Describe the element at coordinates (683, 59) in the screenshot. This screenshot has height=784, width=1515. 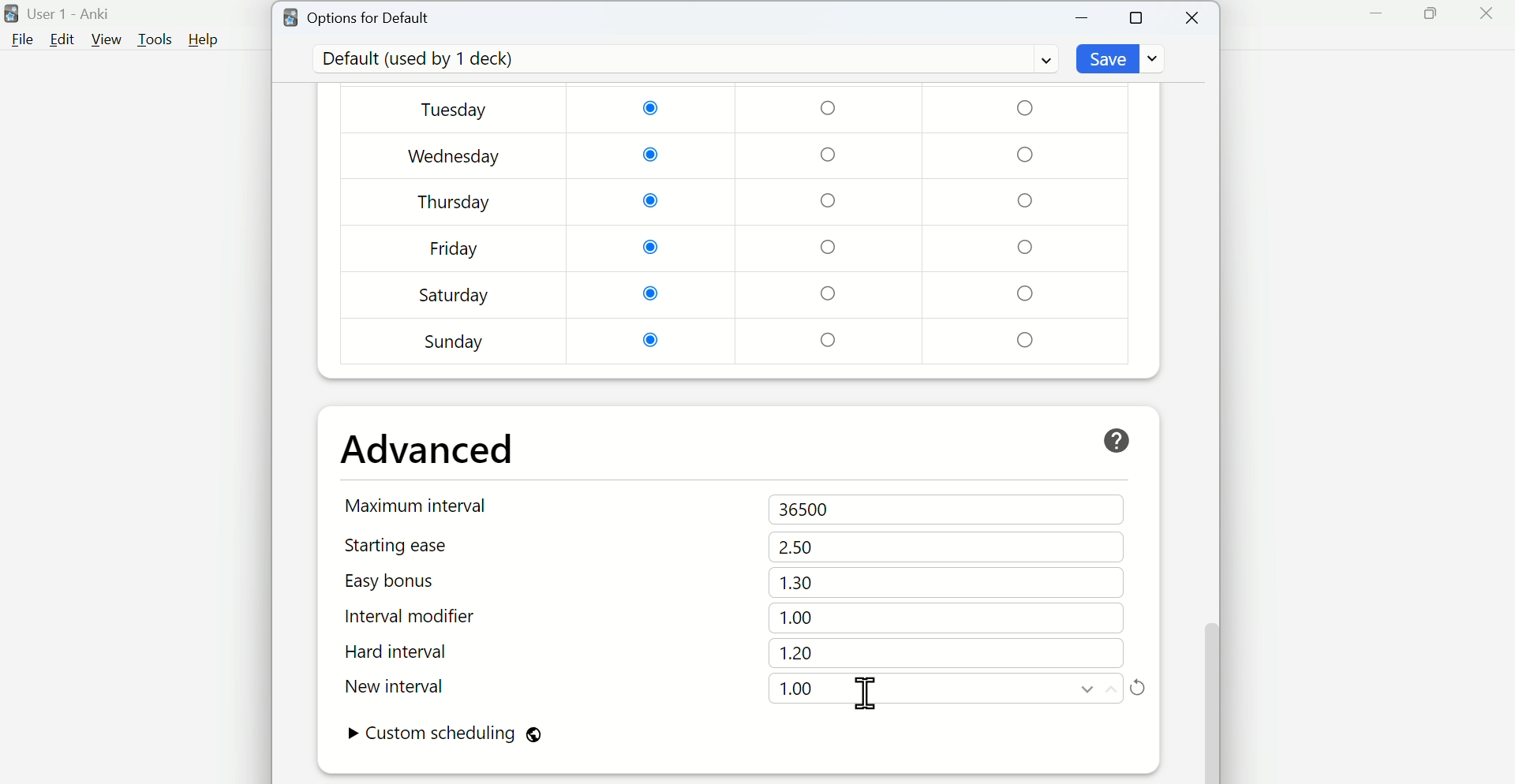
I see `Default` at that location.